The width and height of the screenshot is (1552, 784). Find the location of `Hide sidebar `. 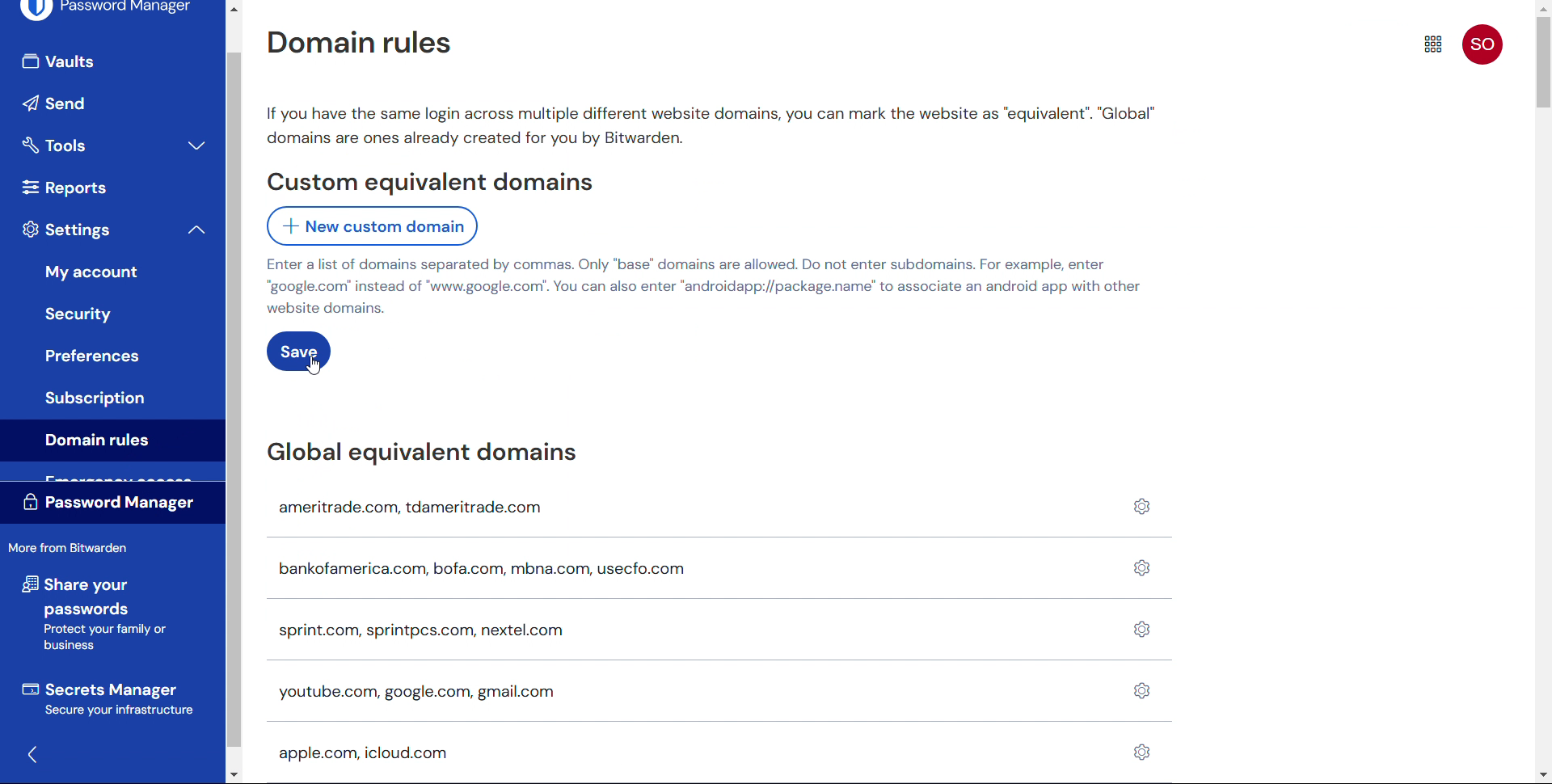

Hide sidebar  is located at coordinates (33, 756).